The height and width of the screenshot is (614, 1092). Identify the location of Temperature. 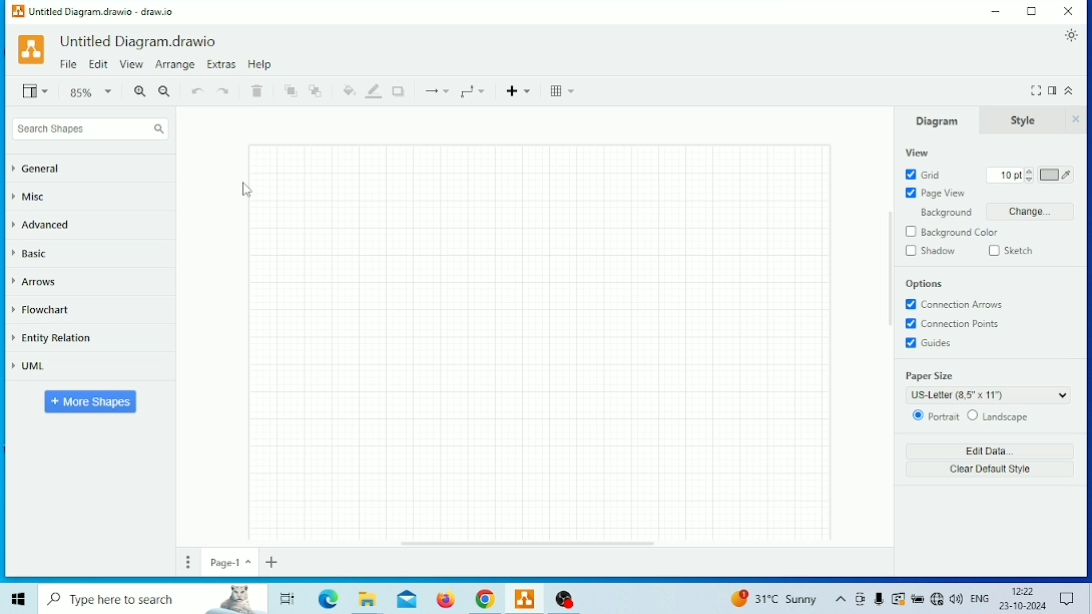
(773, 599).